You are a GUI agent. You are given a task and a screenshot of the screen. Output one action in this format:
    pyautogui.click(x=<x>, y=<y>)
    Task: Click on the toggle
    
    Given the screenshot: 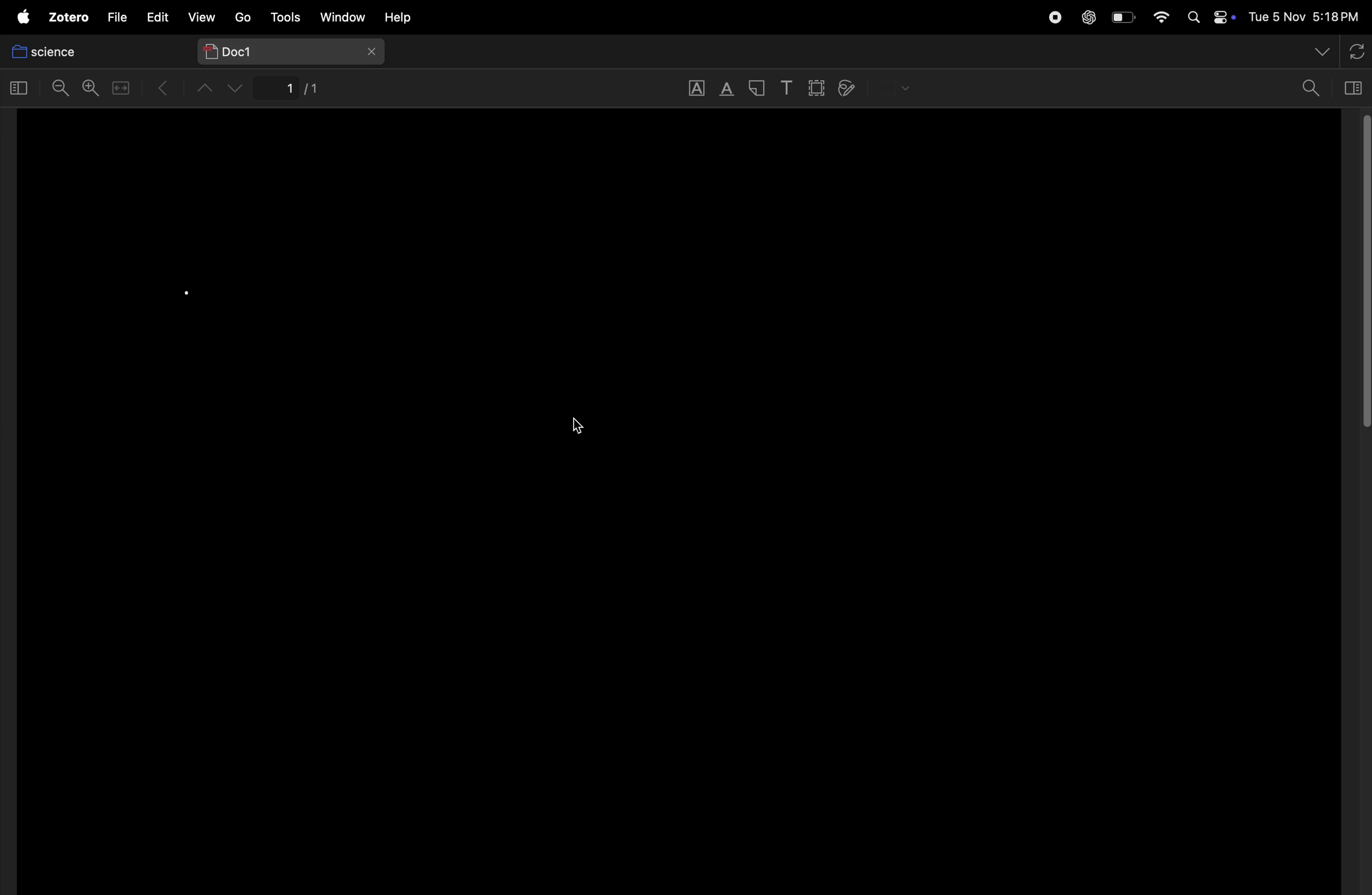 What is the action you would take?
    pyautogui.click(x=122, y=87)
    